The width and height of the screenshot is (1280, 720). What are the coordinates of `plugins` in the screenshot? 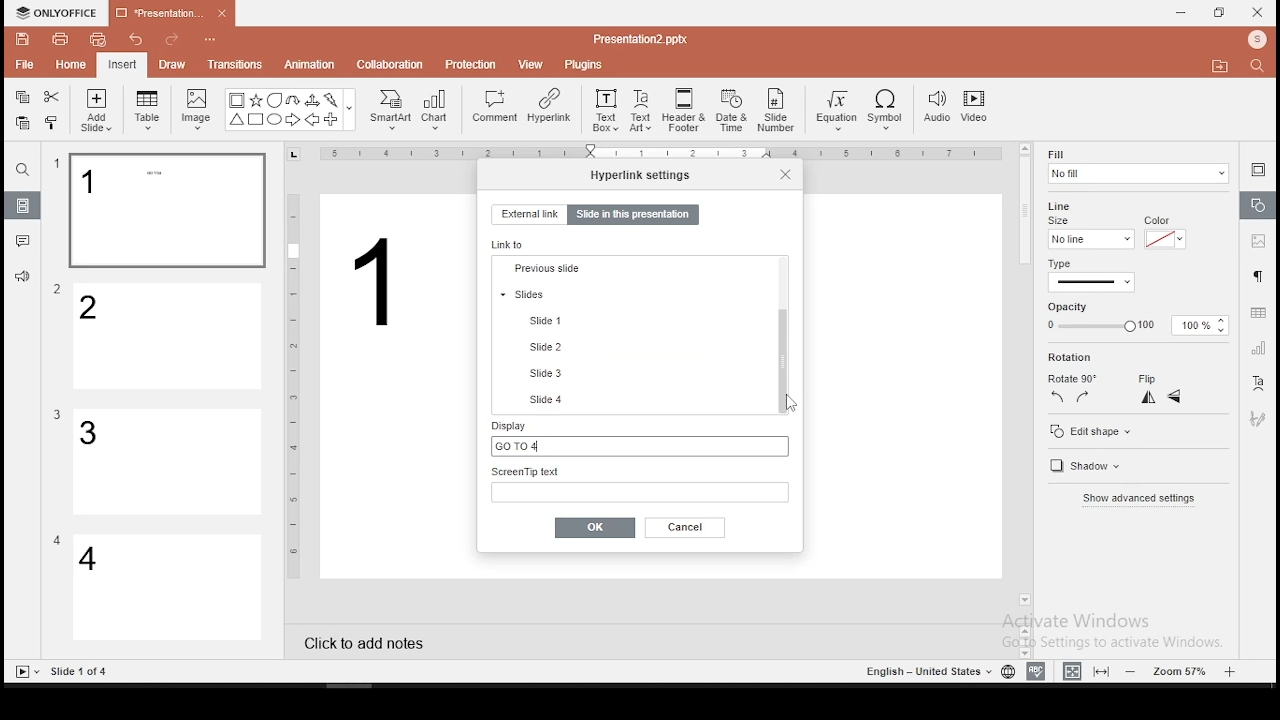 It's located at (585, 61).